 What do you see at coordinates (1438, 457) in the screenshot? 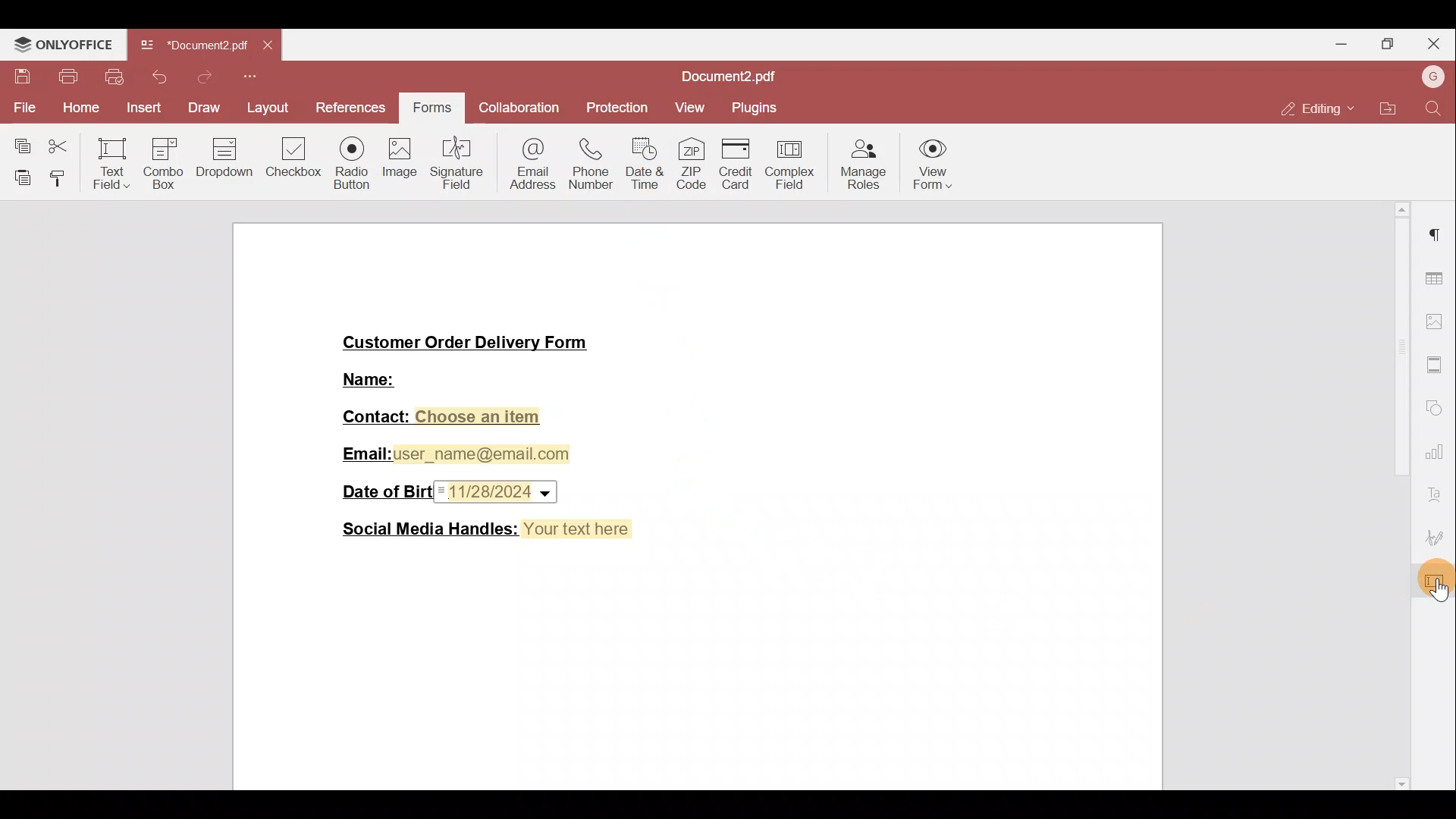
I see `Chart settings` at bounding box center [1438, 457].